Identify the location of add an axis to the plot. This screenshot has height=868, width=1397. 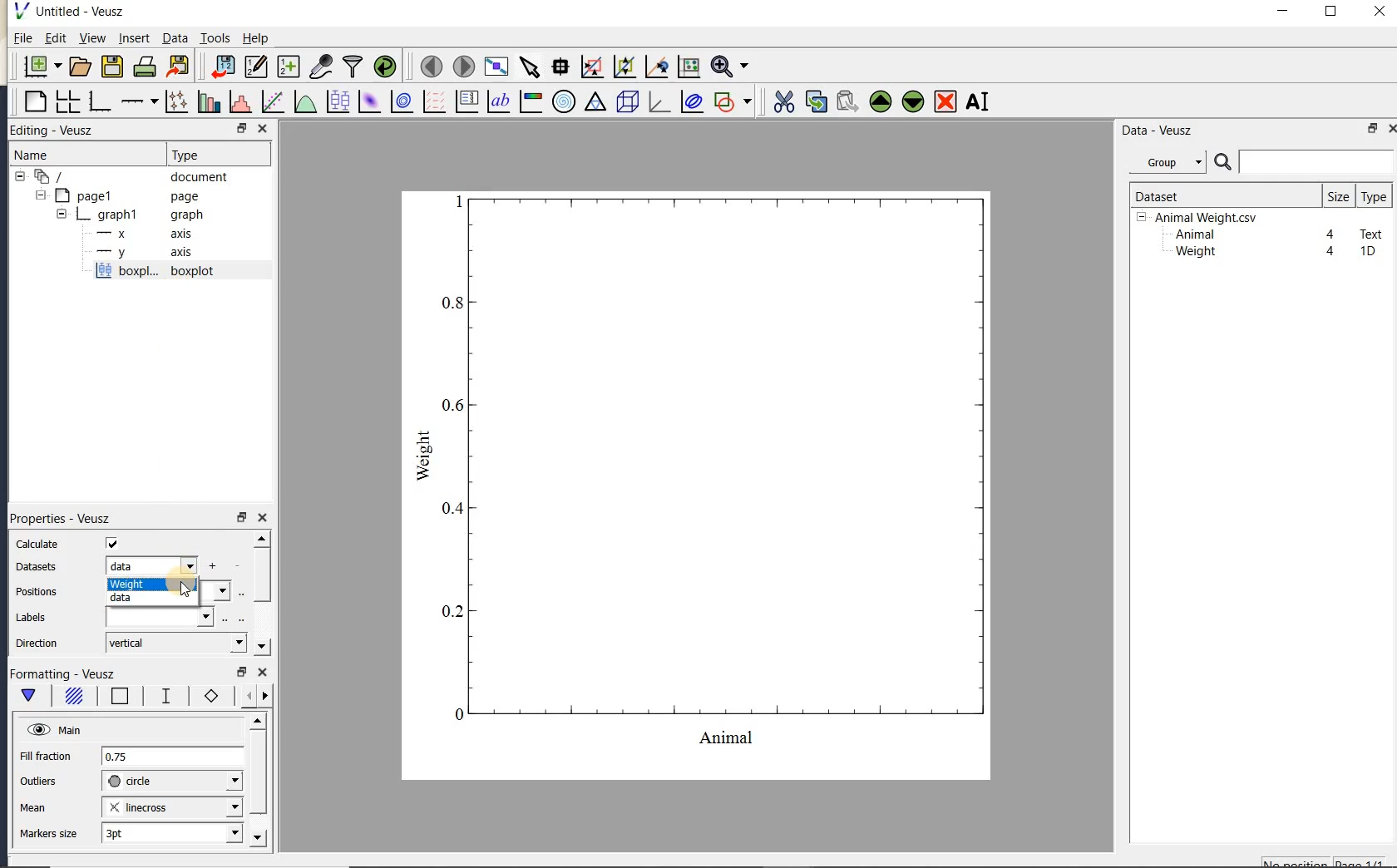
(139, 101).